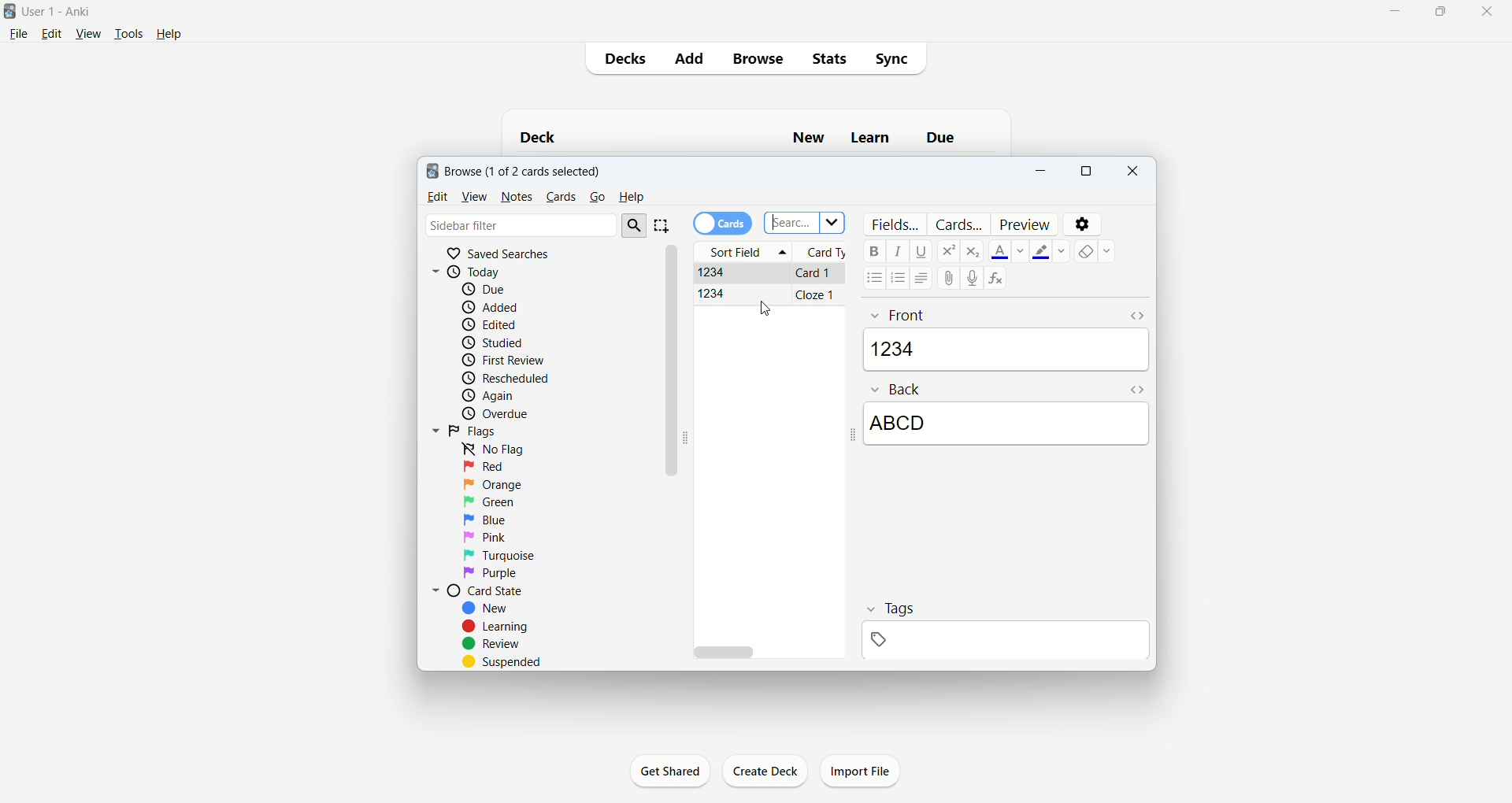 The width and height of the screenshot is (1512, 803). I want to click on decks, so click(630, 60).